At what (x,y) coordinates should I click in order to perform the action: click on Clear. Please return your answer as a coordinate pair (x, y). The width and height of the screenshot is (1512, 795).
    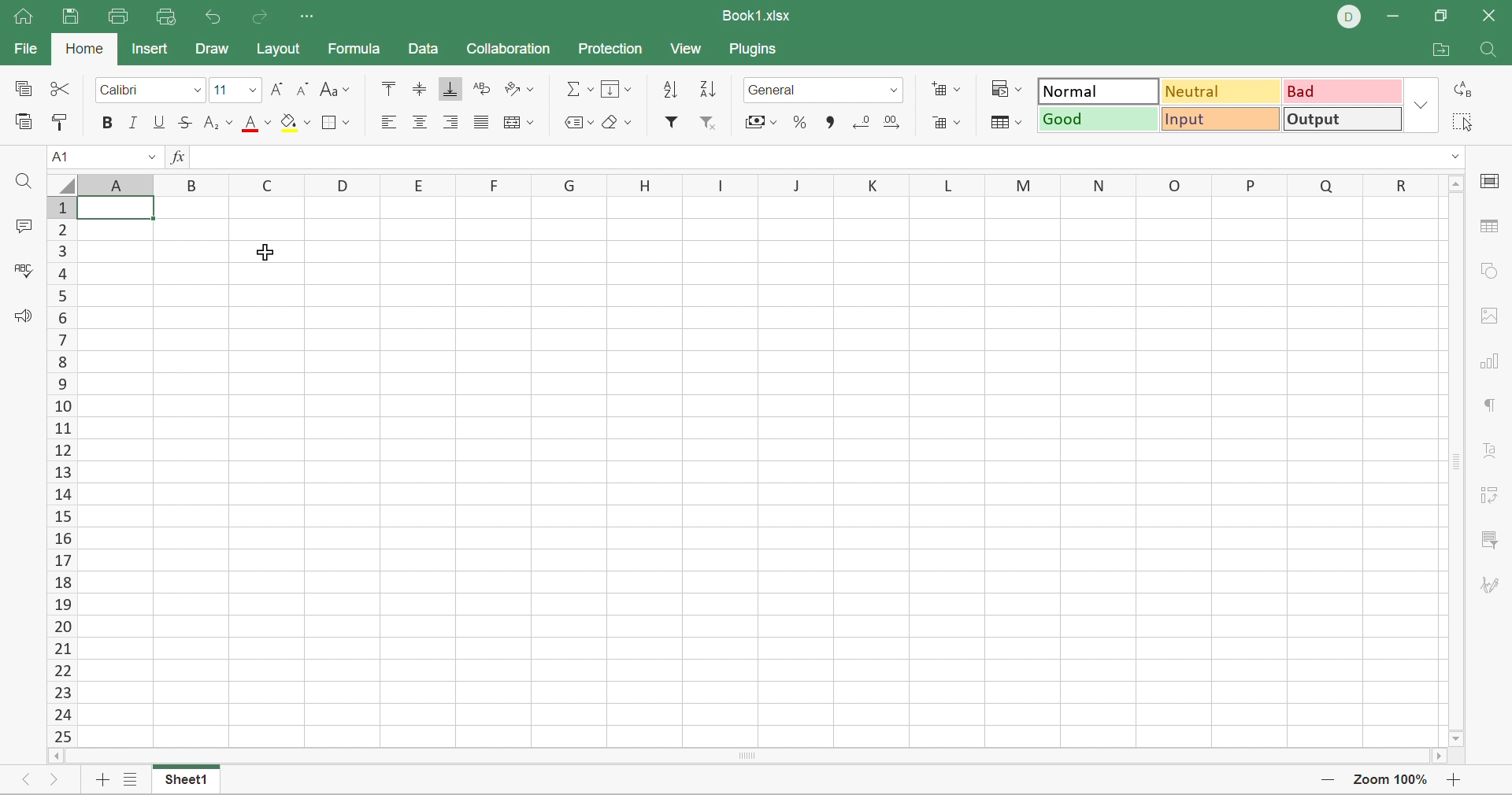
    Looking at the image, I should click on (615, 123).